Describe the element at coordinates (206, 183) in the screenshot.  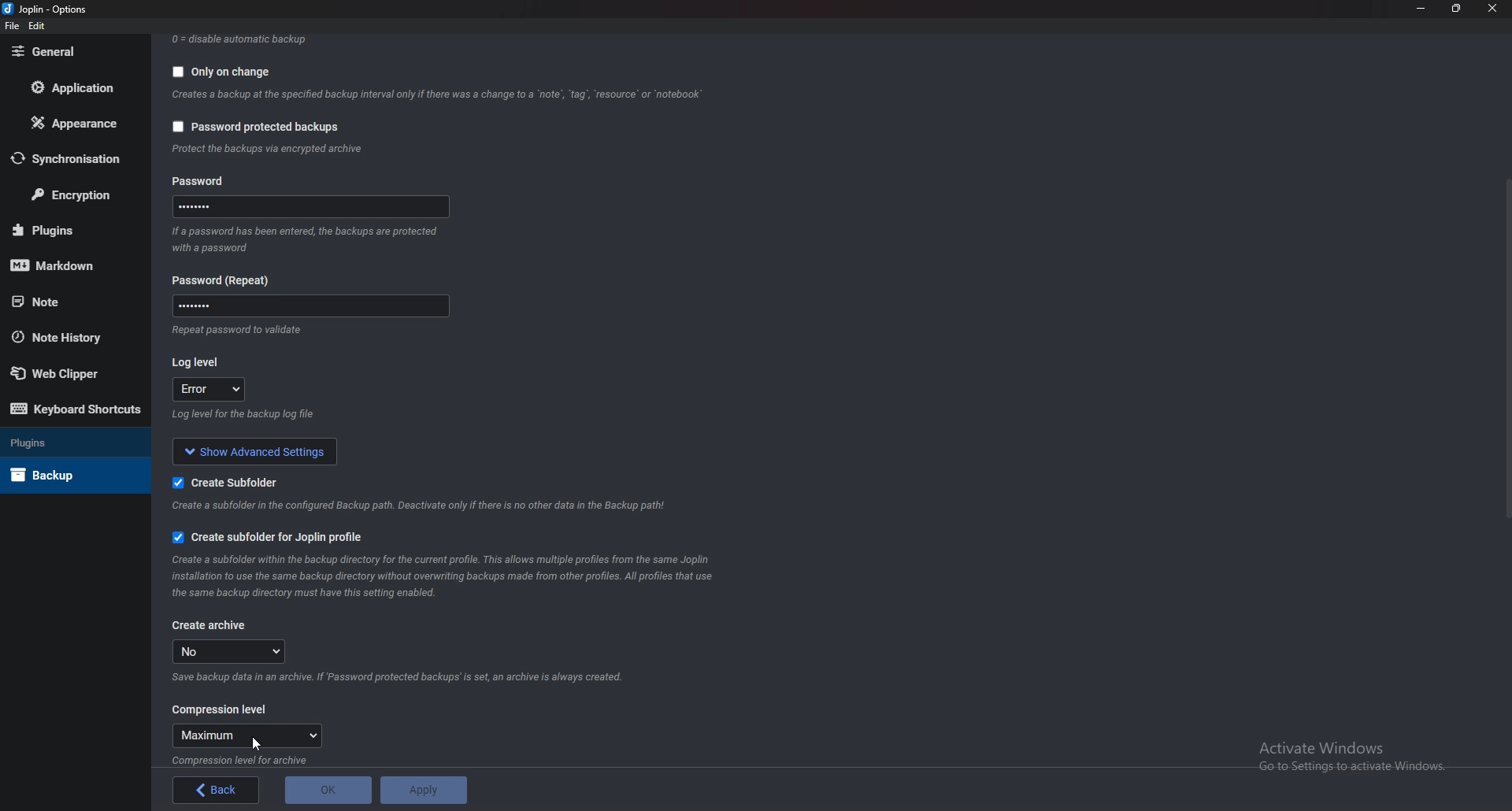
I see `Password` at that location.